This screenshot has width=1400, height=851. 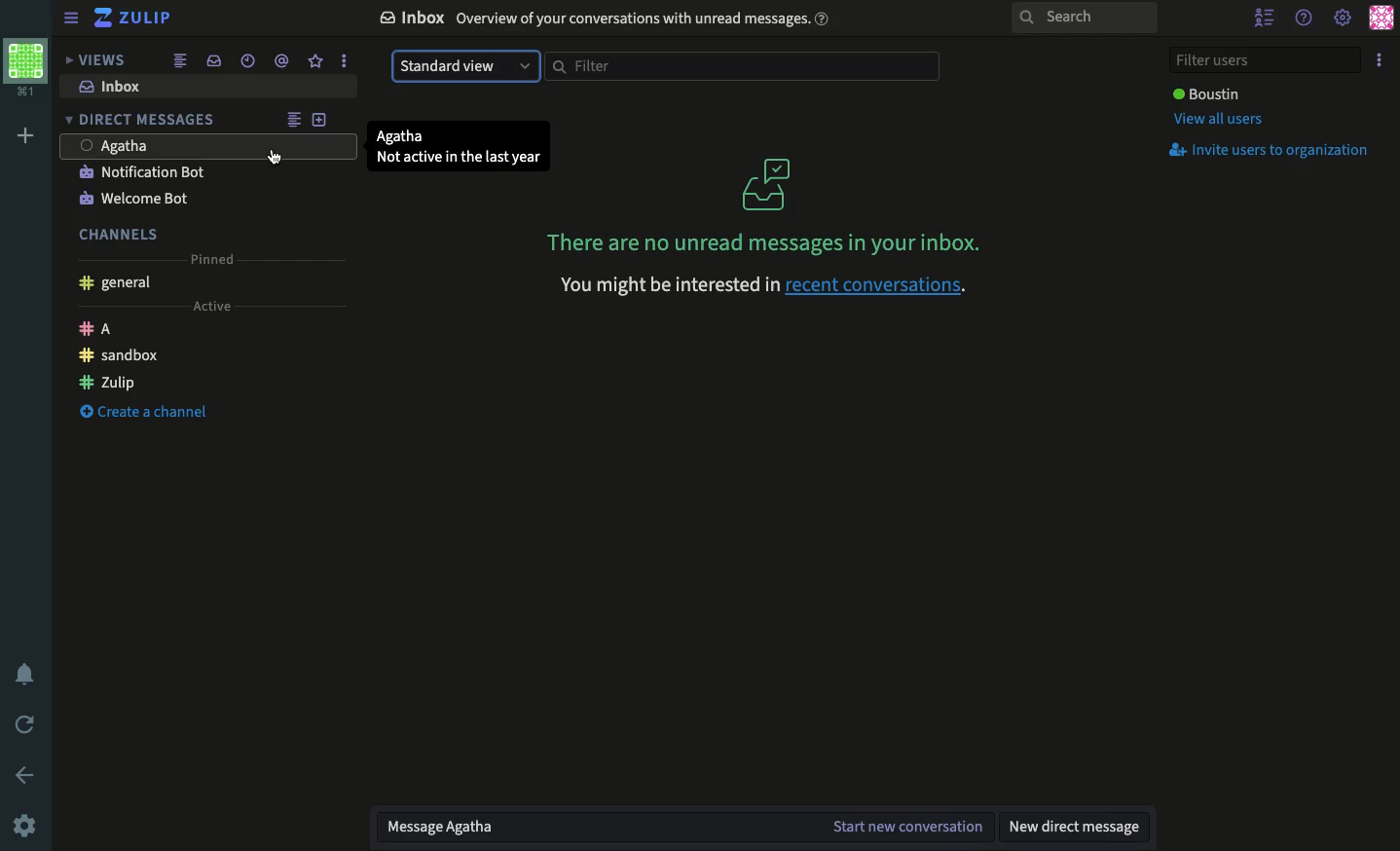 I want to click on View all users, so click(x=1221, y=120).